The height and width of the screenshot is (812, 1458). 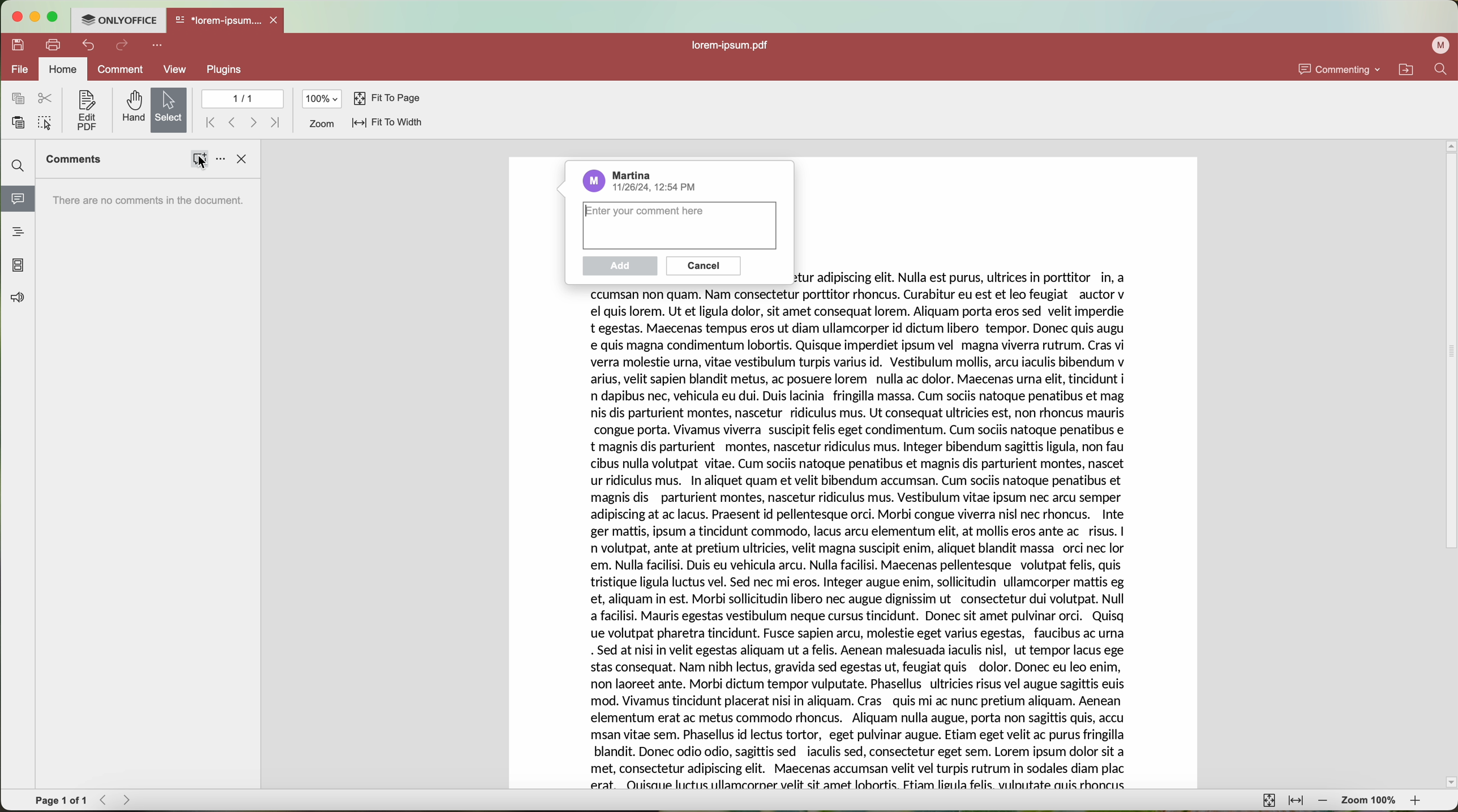 I want to click on file name, so click(x=734, y=46).